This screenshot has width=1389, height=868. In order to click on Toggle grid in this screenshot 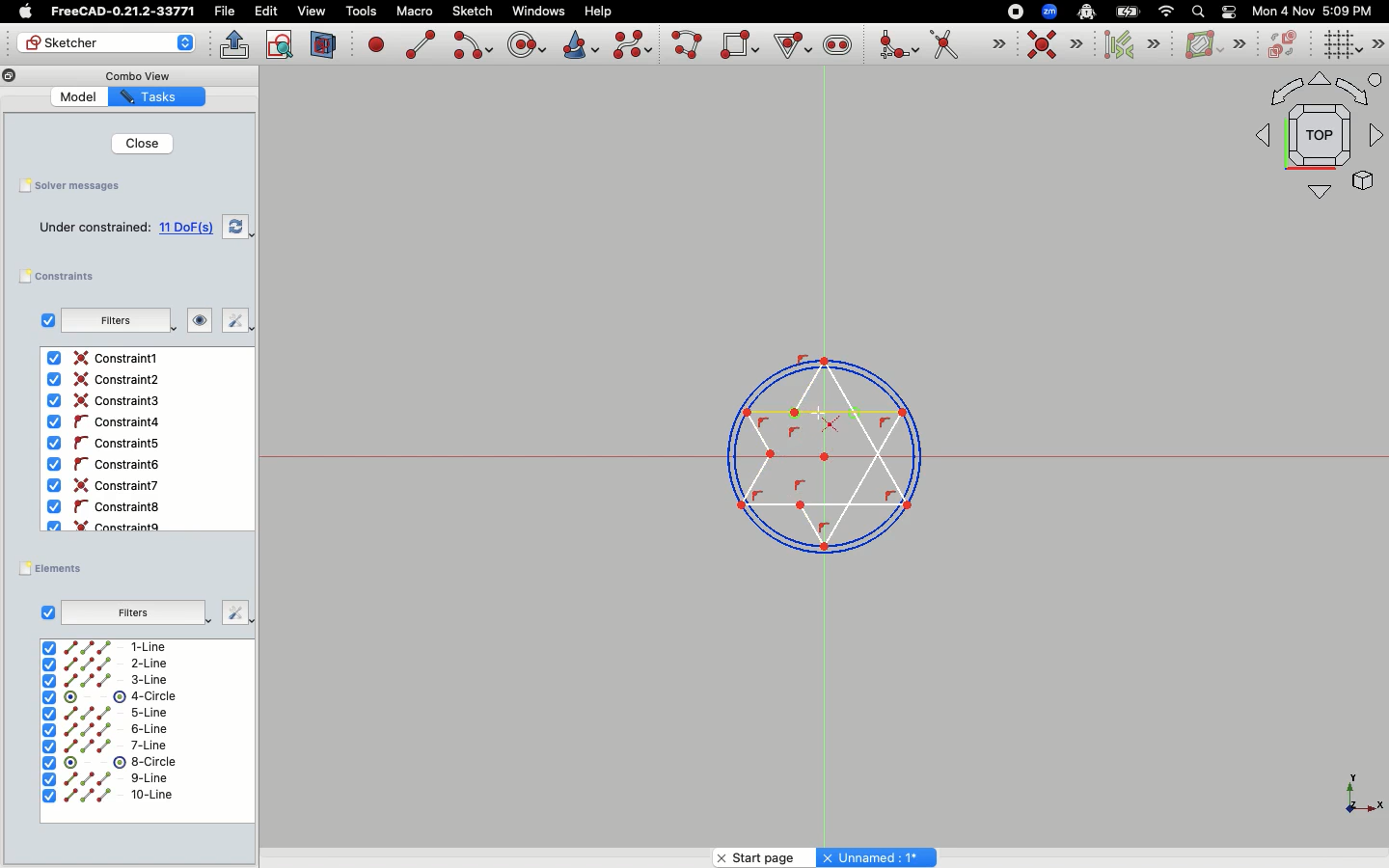, I will do `click(1340, 45)`.